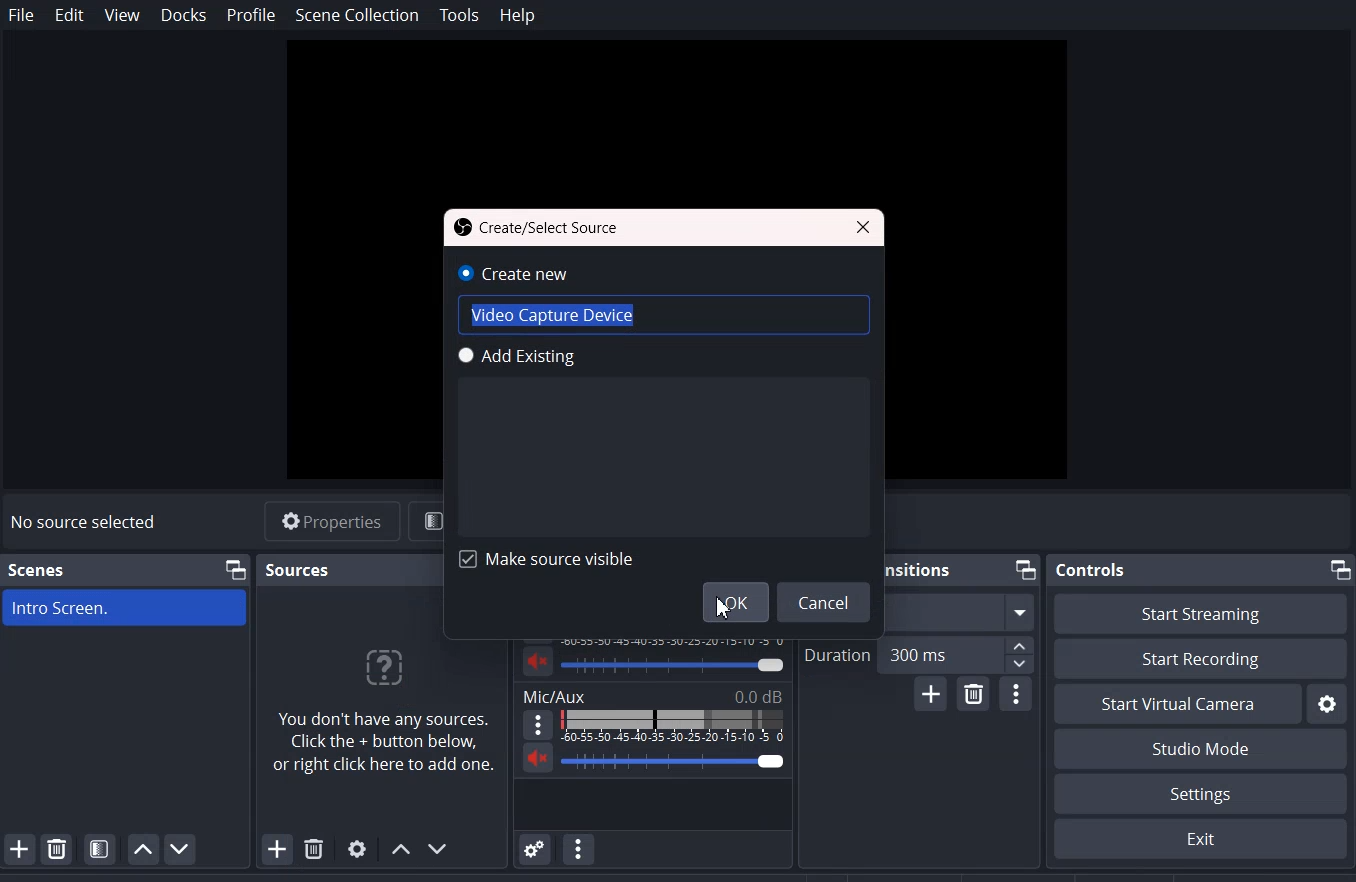 The height and width of the screenshot is (882, 1356). Describe the element at coordinates (675, 759) in the screenshot. I see `Volume Adjuster` at that location.